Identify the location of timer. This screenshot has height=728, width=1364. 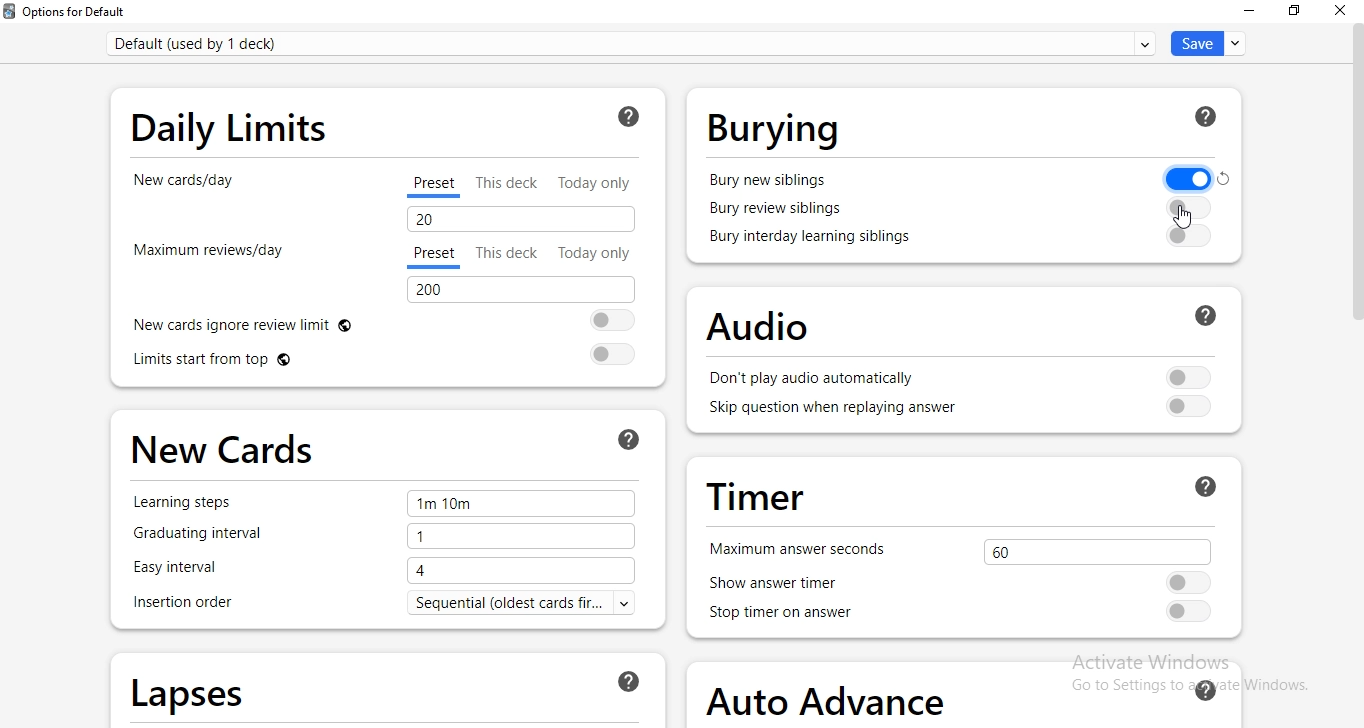
(754, 495).